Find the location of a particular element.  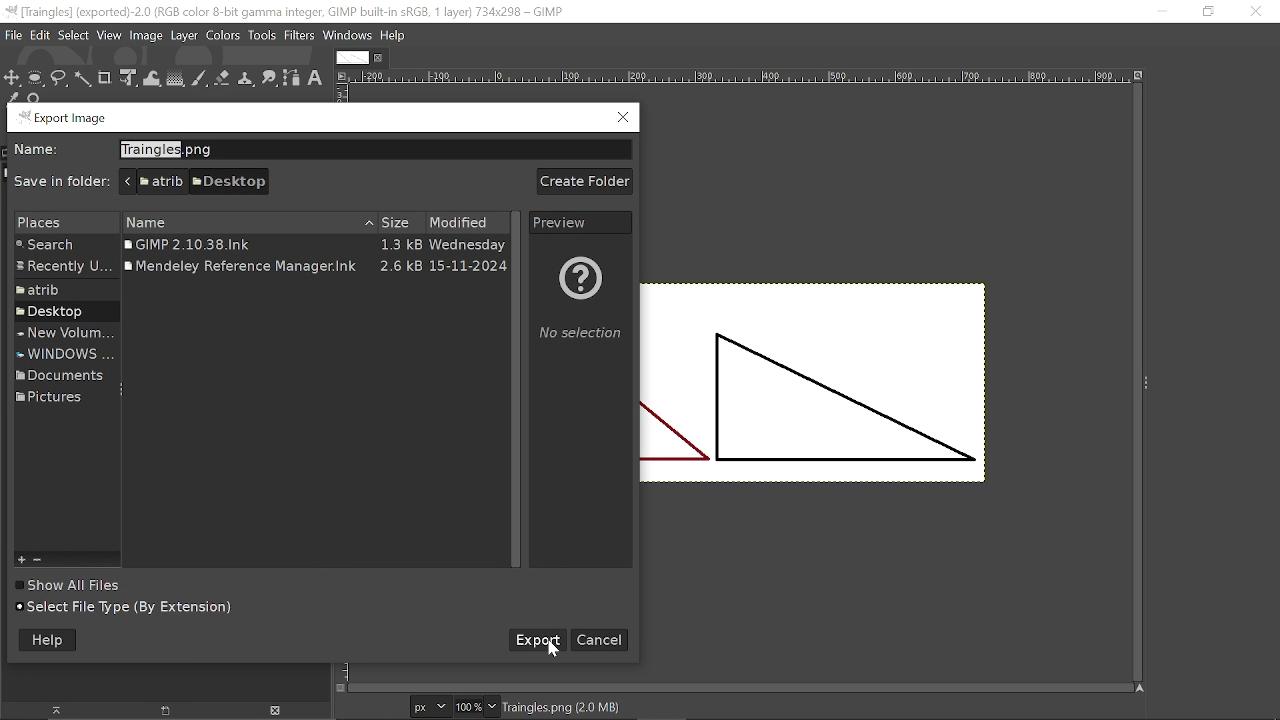

Save in folder: < m: is located at coordinates (62, 182).